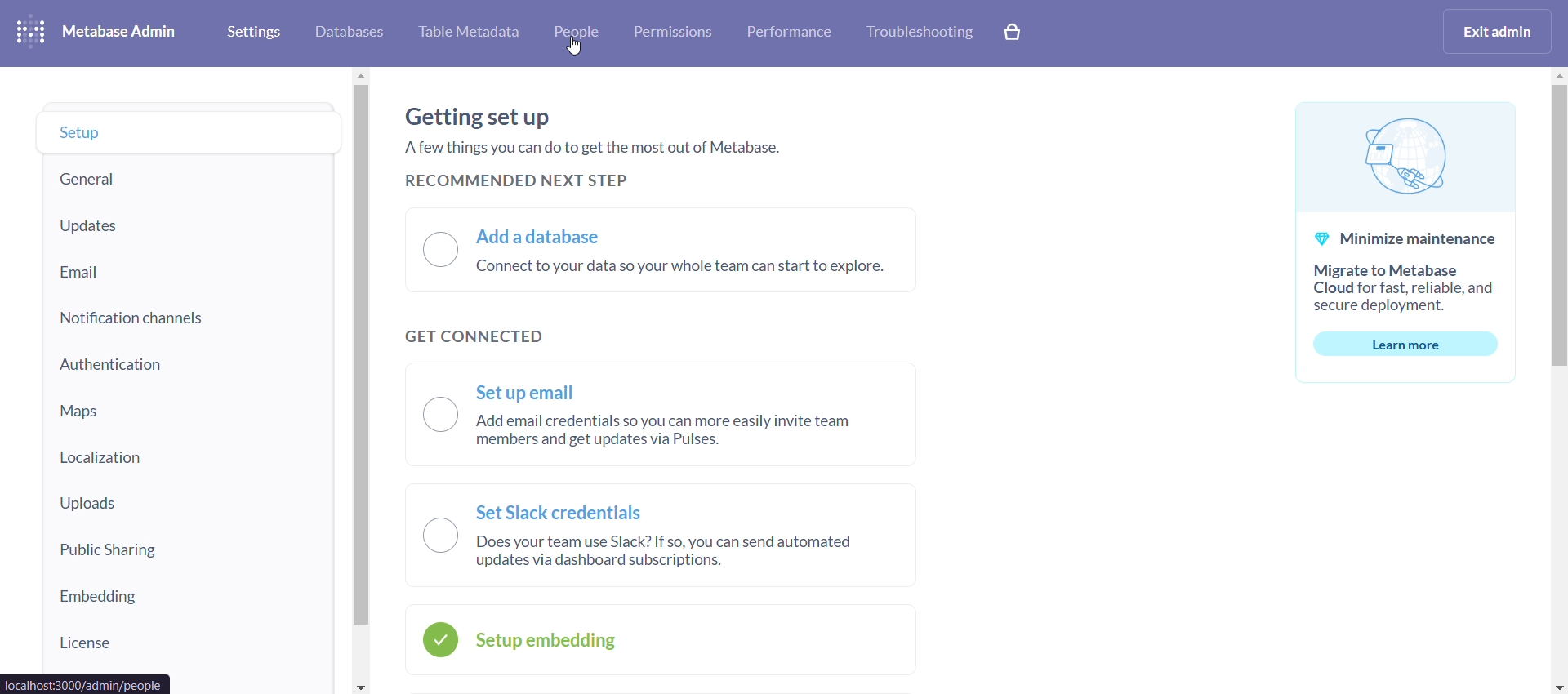  I want to click on exit admin, so click(1500, 31).